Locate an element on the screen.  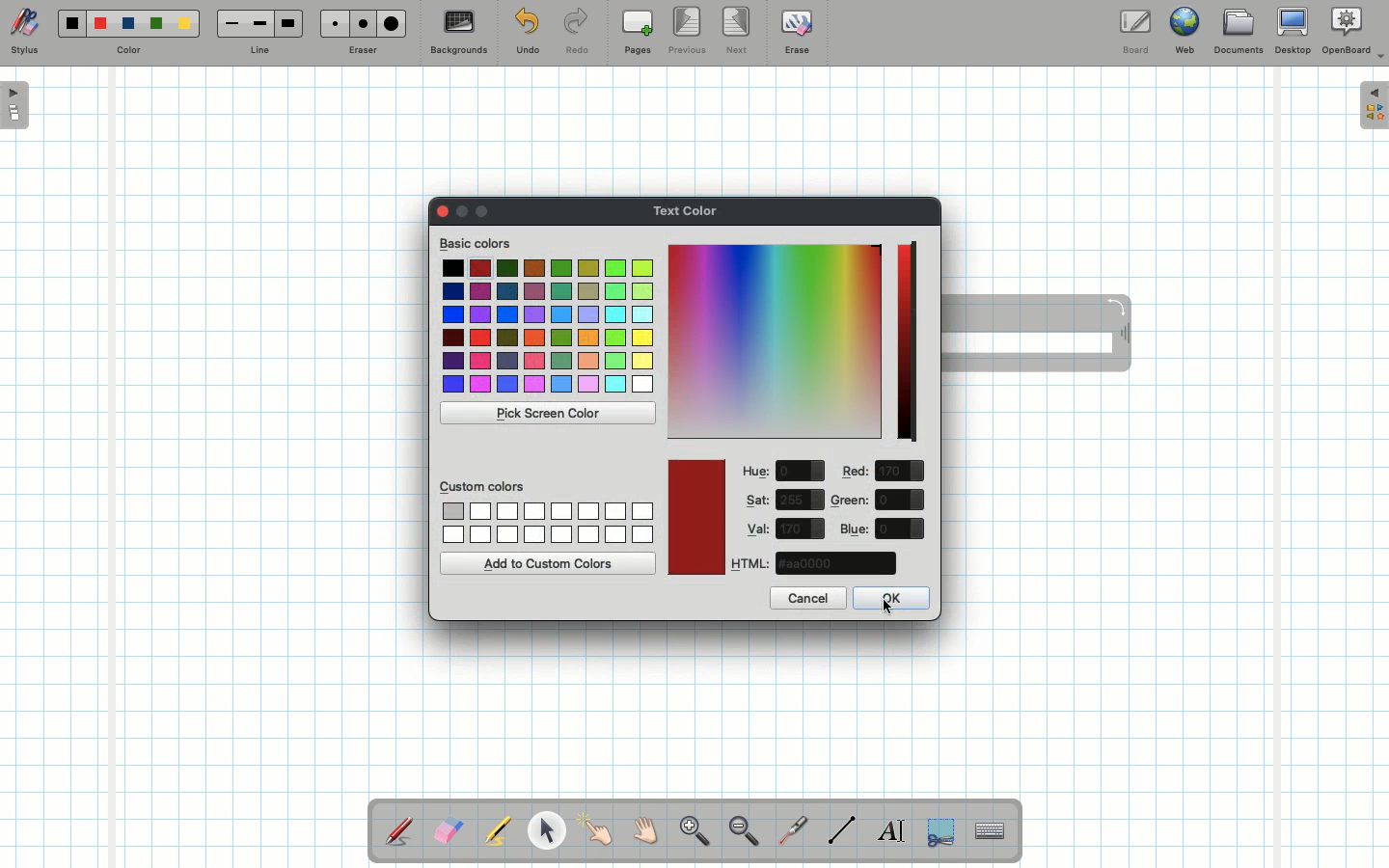
value is located at coordinates (900, 529).